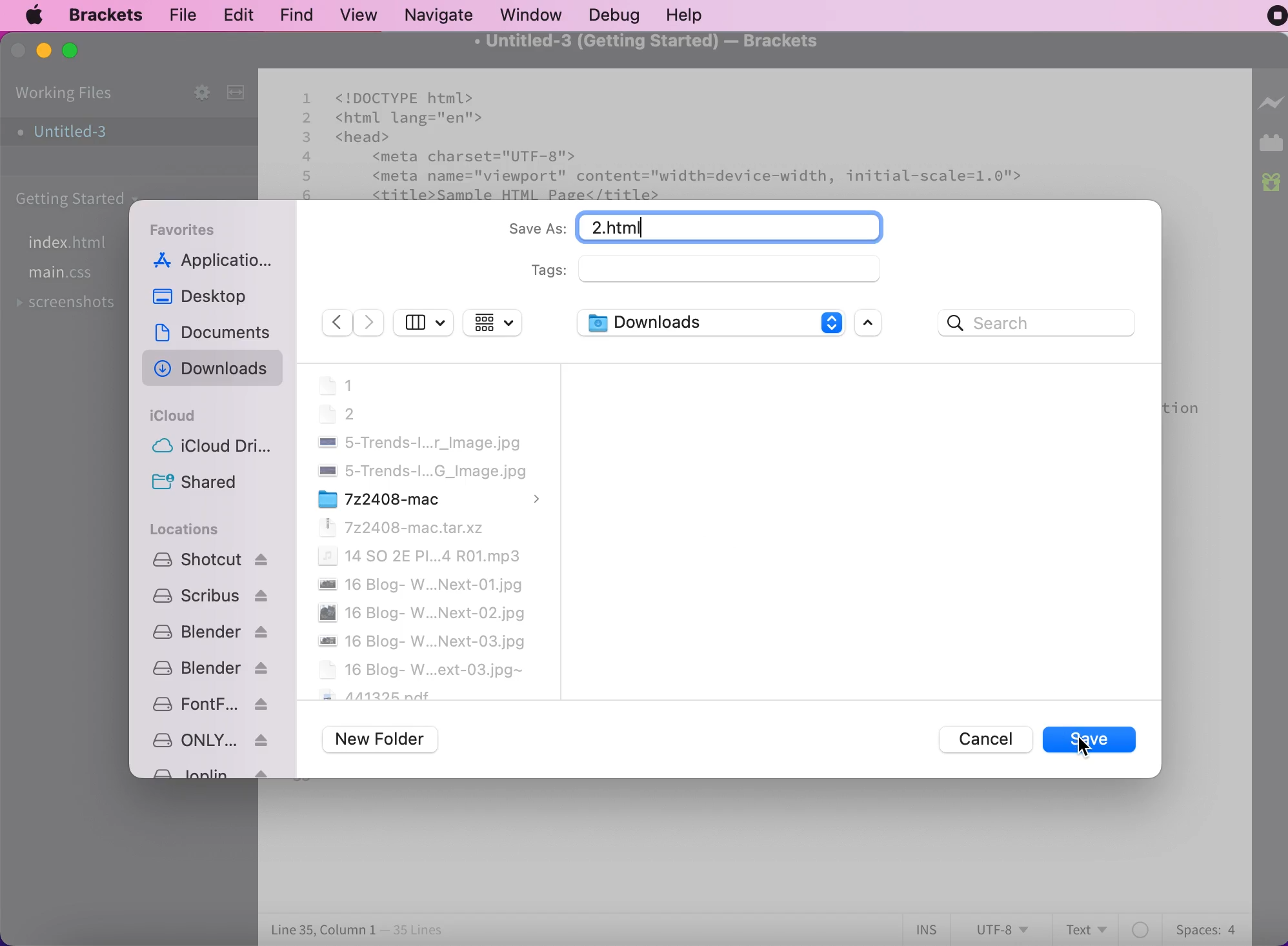 The height and width of the screenshot is (946, 1288). I want to click on untitled-3, so click(71, 133).